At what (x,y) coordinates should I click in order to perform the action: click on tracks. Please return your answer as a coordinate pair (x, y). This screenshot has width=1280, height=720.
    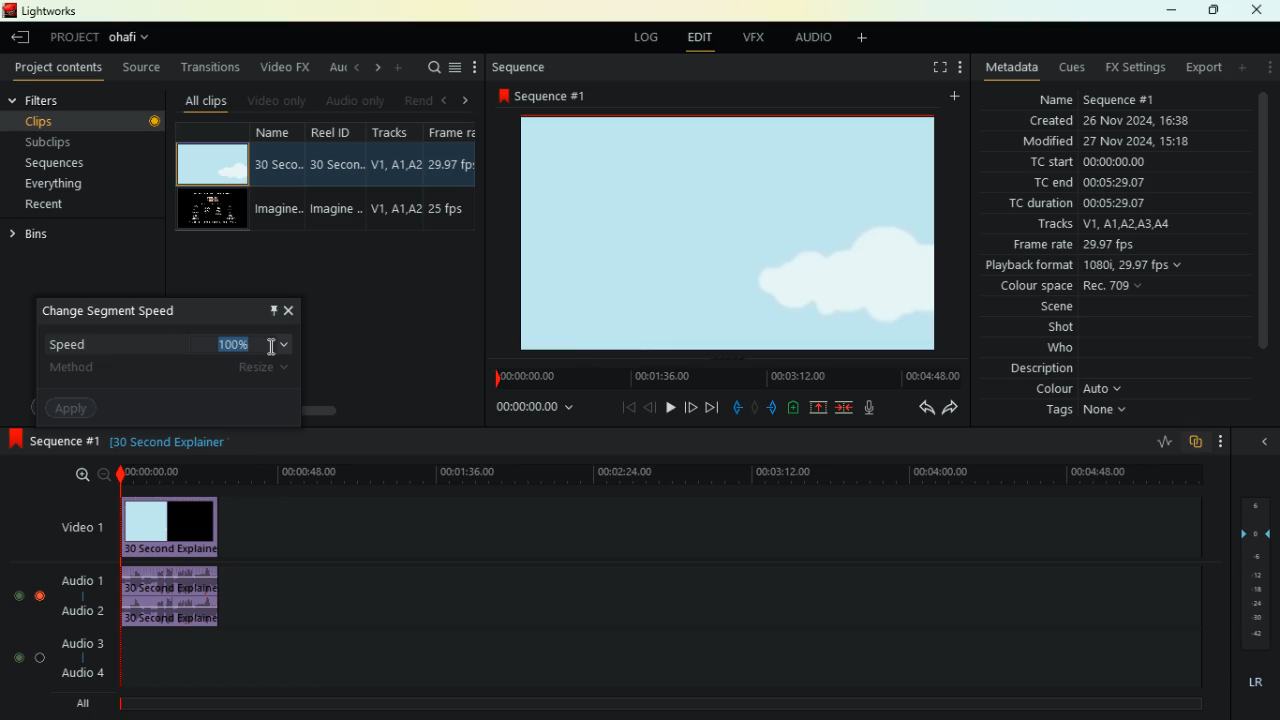
    Looking at the image, I should click on (396, 177).